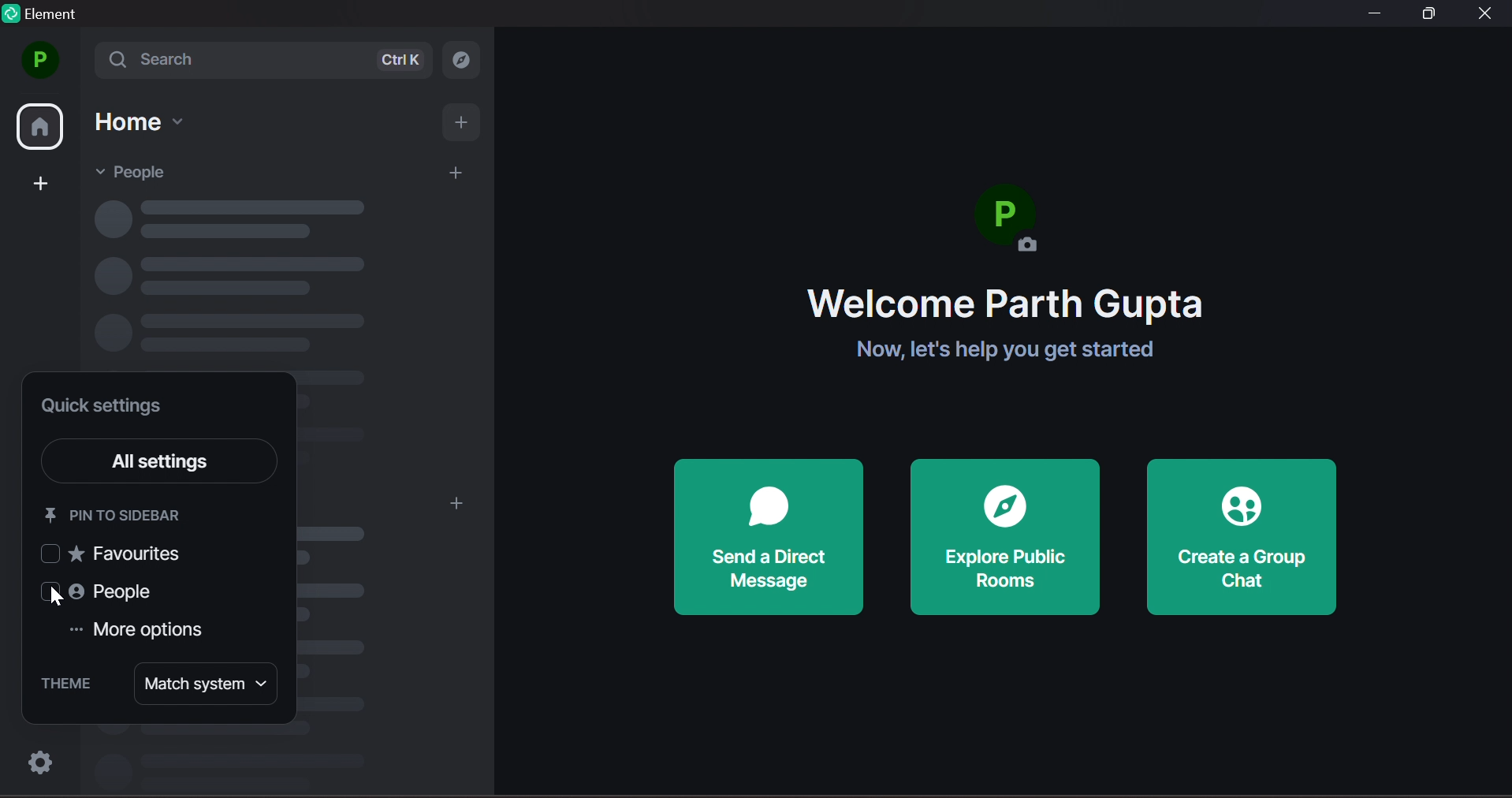  I want to click on home, so click(42, 129).